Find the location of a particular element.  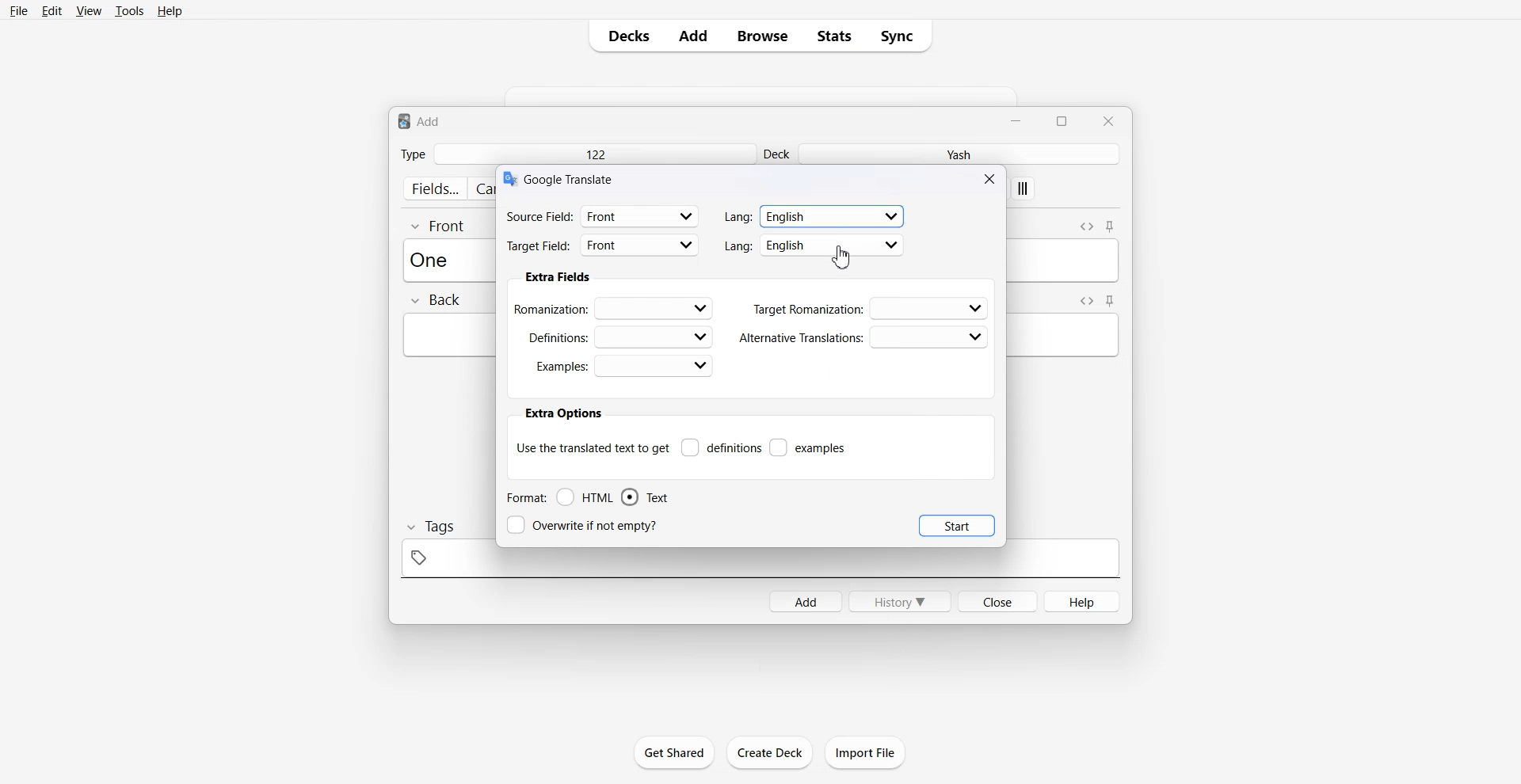

Toggle sticky is located at coordinates (1111, 227).